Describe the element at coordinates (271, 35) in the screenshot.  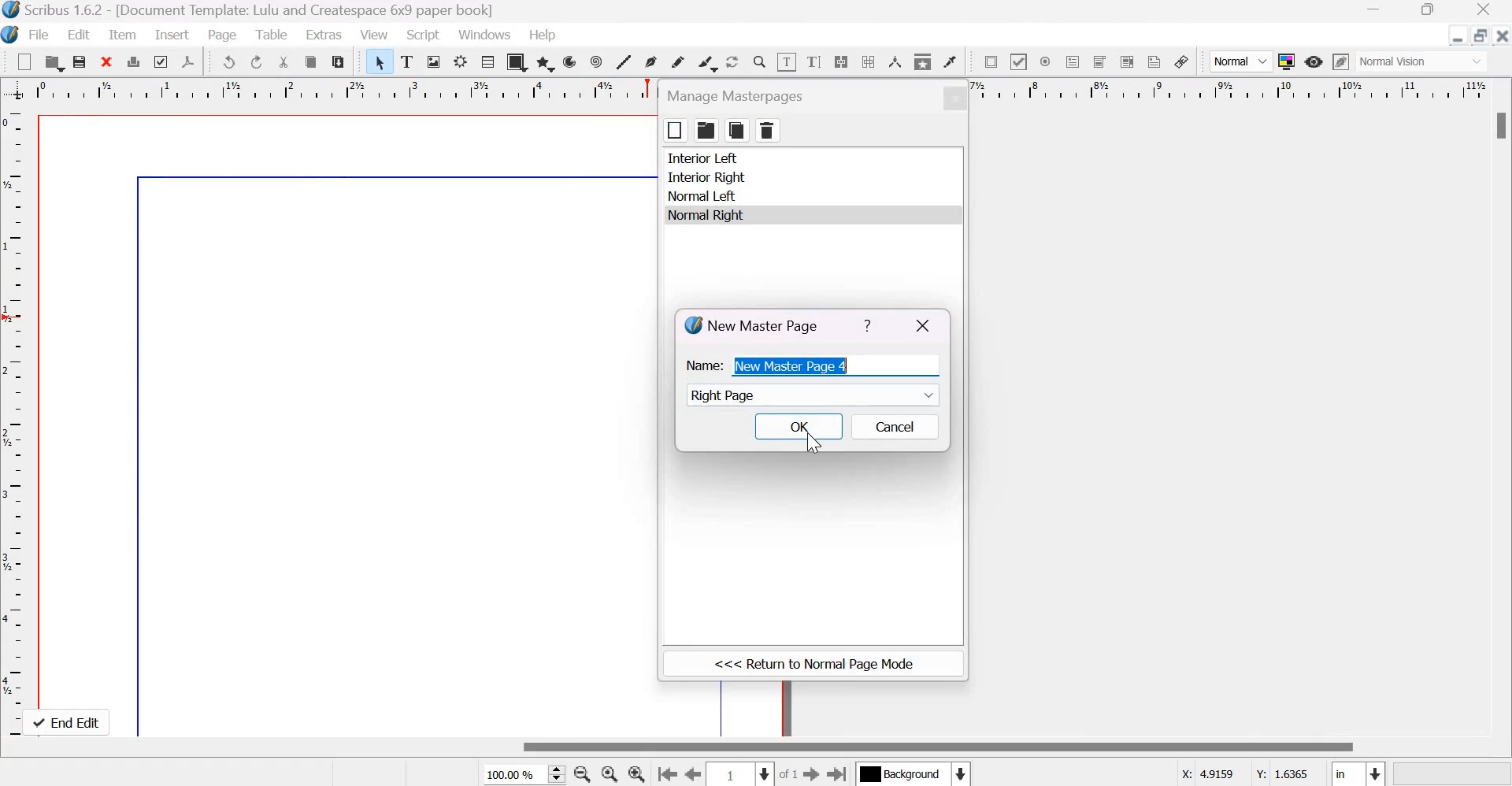
I see `Table` at that location.